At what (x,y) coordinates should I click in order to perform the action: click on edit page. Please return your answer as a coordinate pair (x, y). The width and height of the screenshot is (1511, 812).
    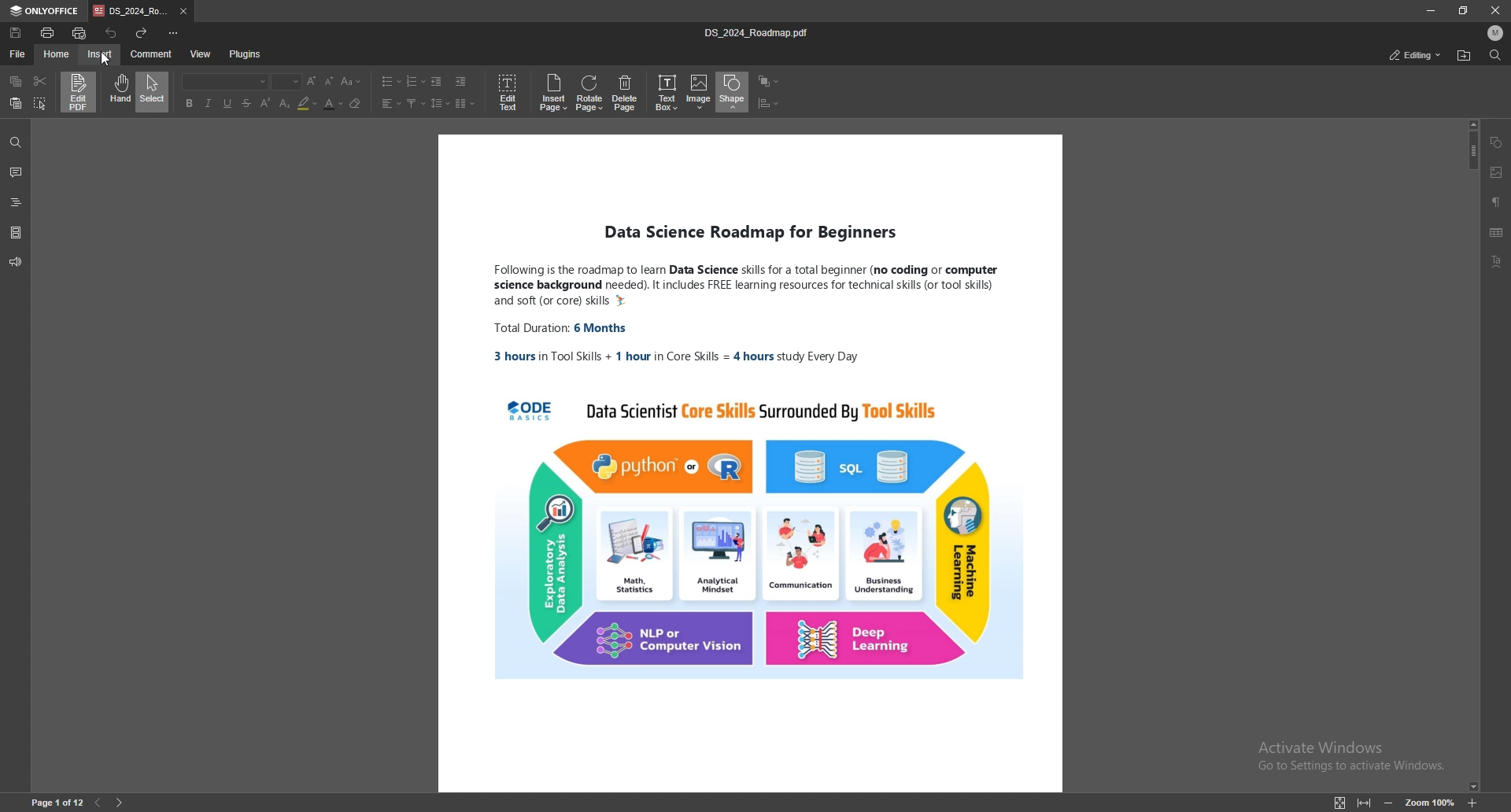
    Looking at the image, I should click on (508, 93).